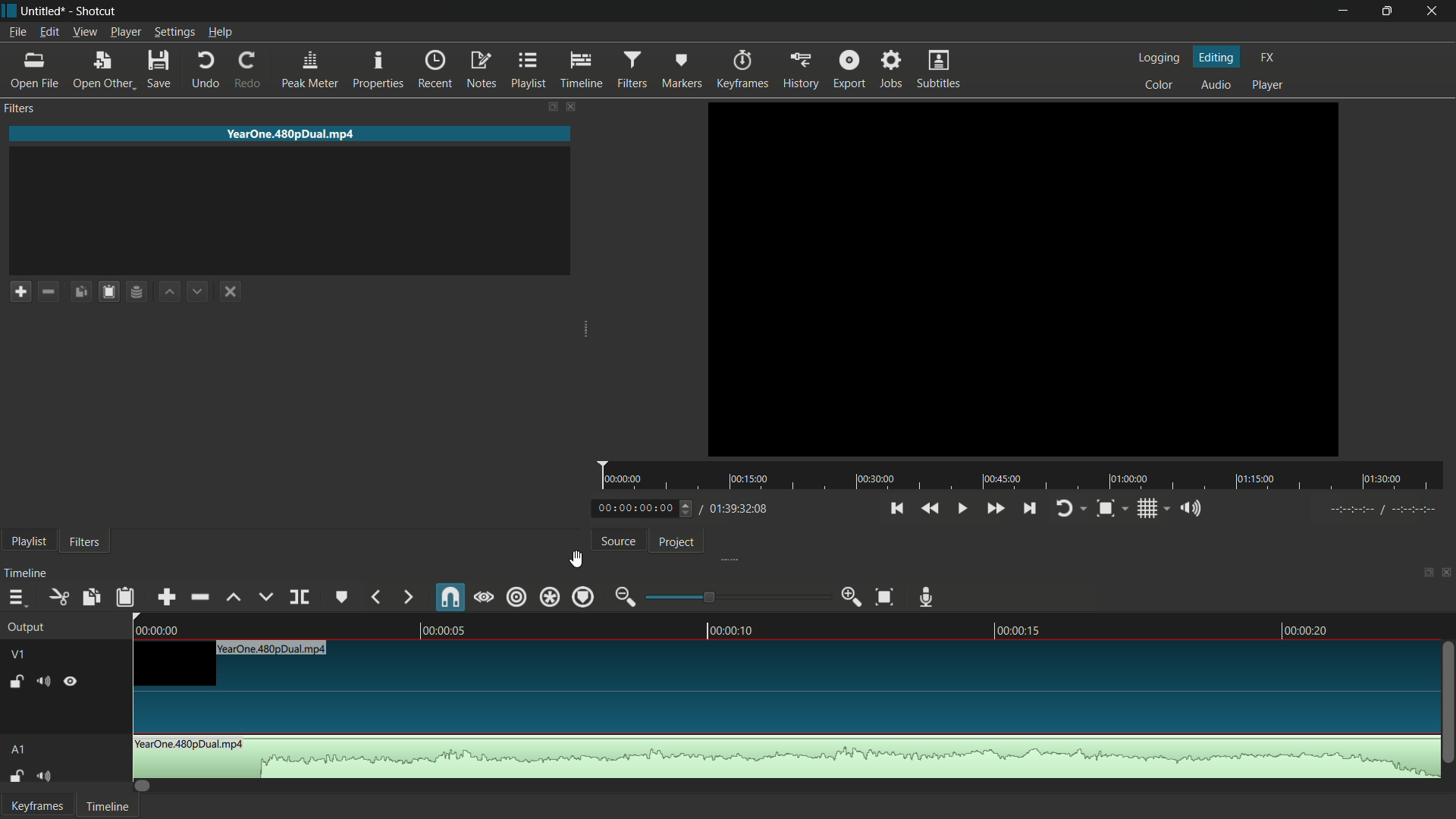 This screenshot has width=1456, height=819. What do you see at coordinates (127, 33) in the screenshot?
I see `player menu` at bounding box center [127, 33].